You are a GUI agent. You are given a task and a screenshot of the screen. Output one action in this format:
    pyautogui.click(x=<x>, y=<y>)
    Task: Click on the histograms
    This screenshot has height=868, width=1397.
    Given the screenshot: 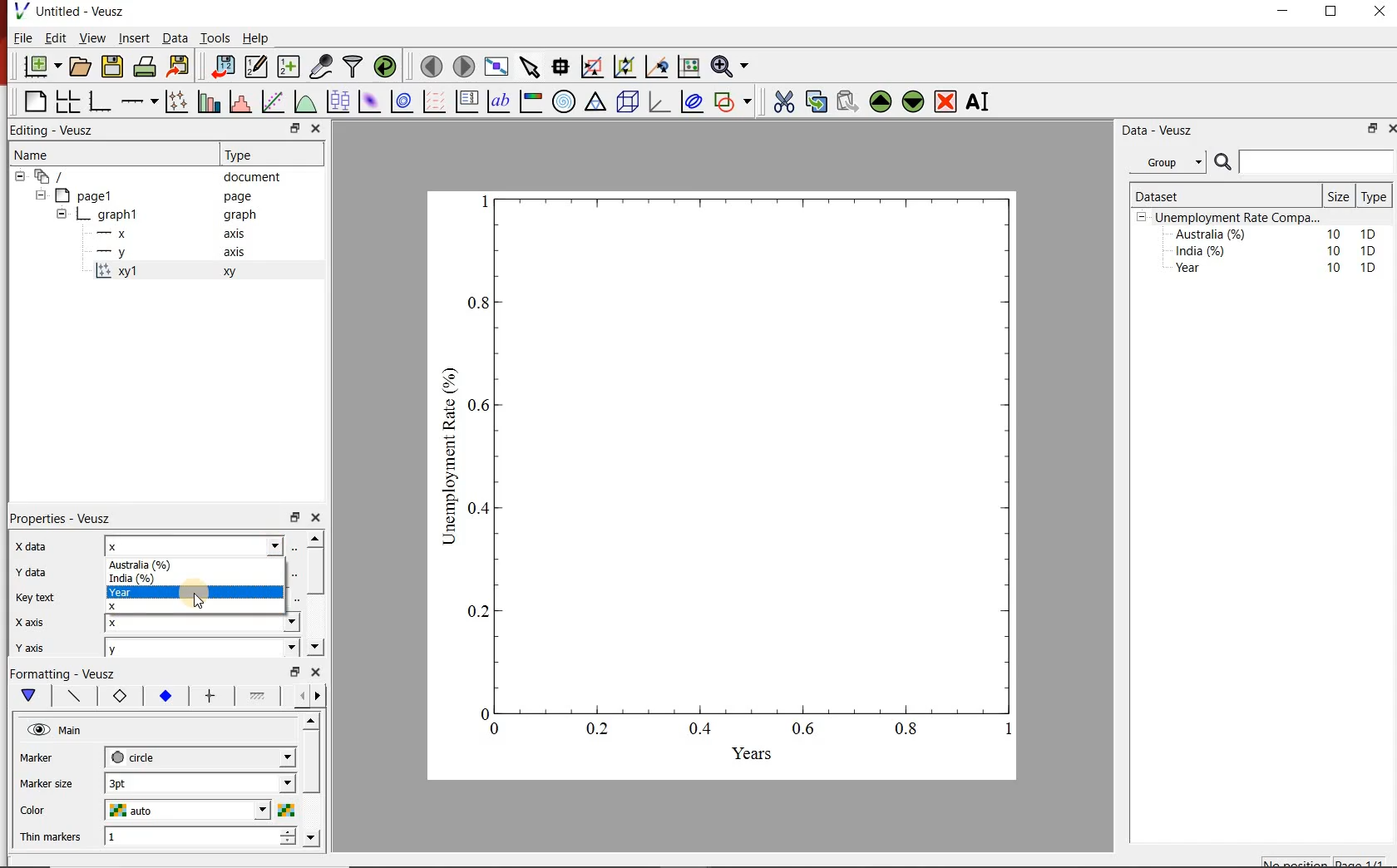 What is the action you would take?
    pyautogui.click(x=239, y=101)
    